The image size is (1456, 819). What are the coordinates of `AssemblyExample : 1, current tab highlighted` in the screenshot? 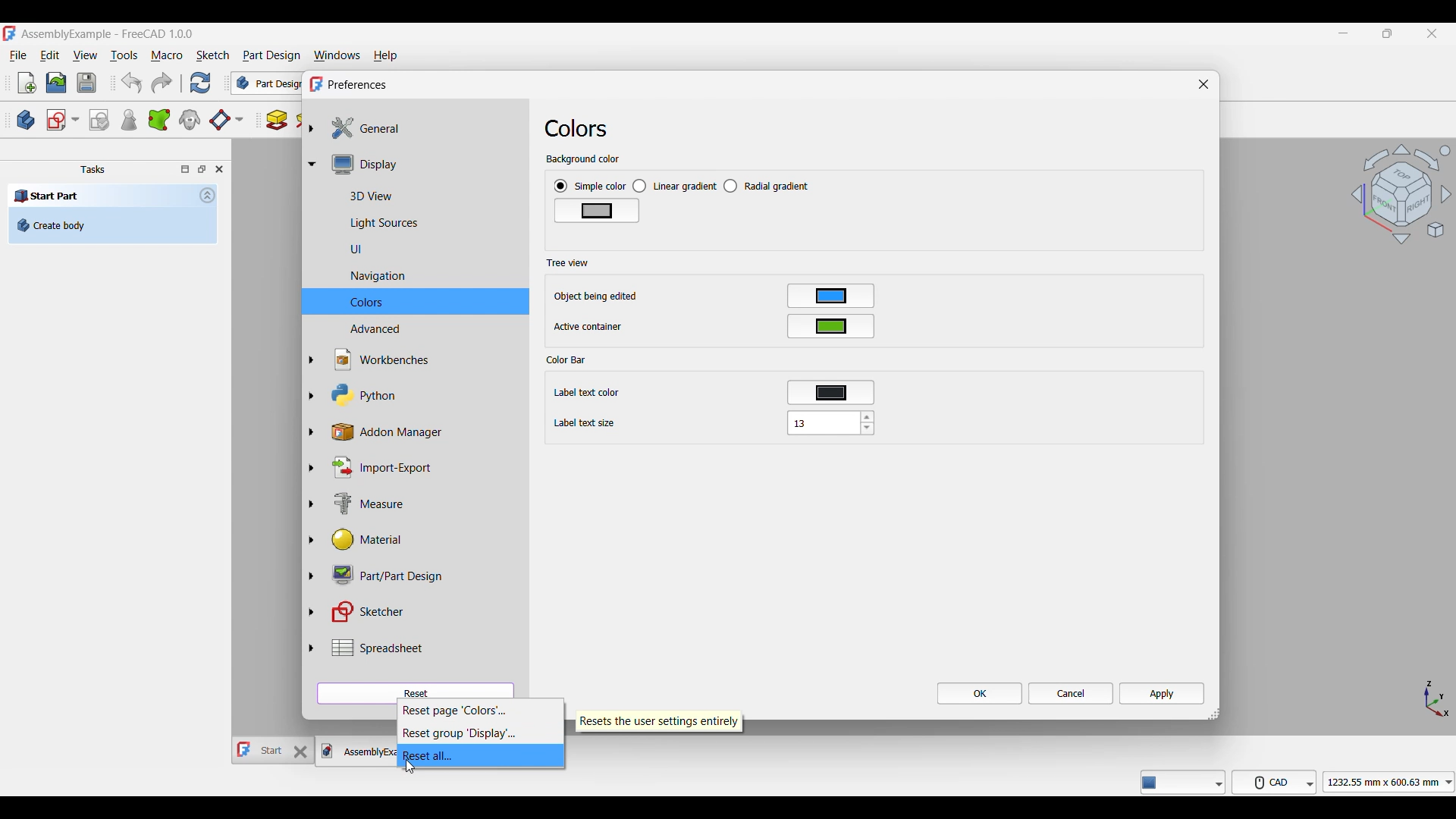 It's located at (355, 752).